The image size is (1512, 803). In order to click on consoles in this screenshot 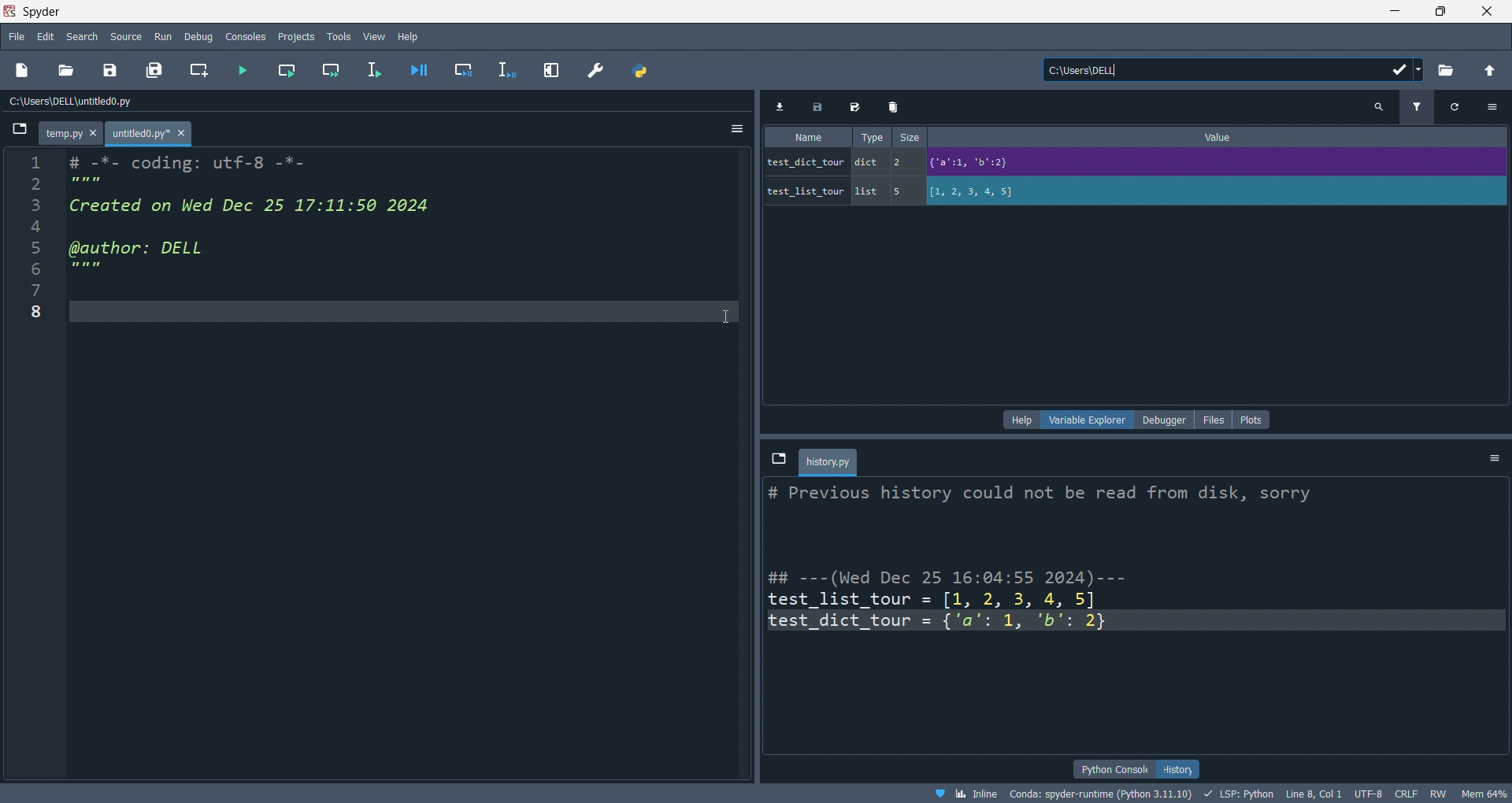, I will do `click(248, 35)`.